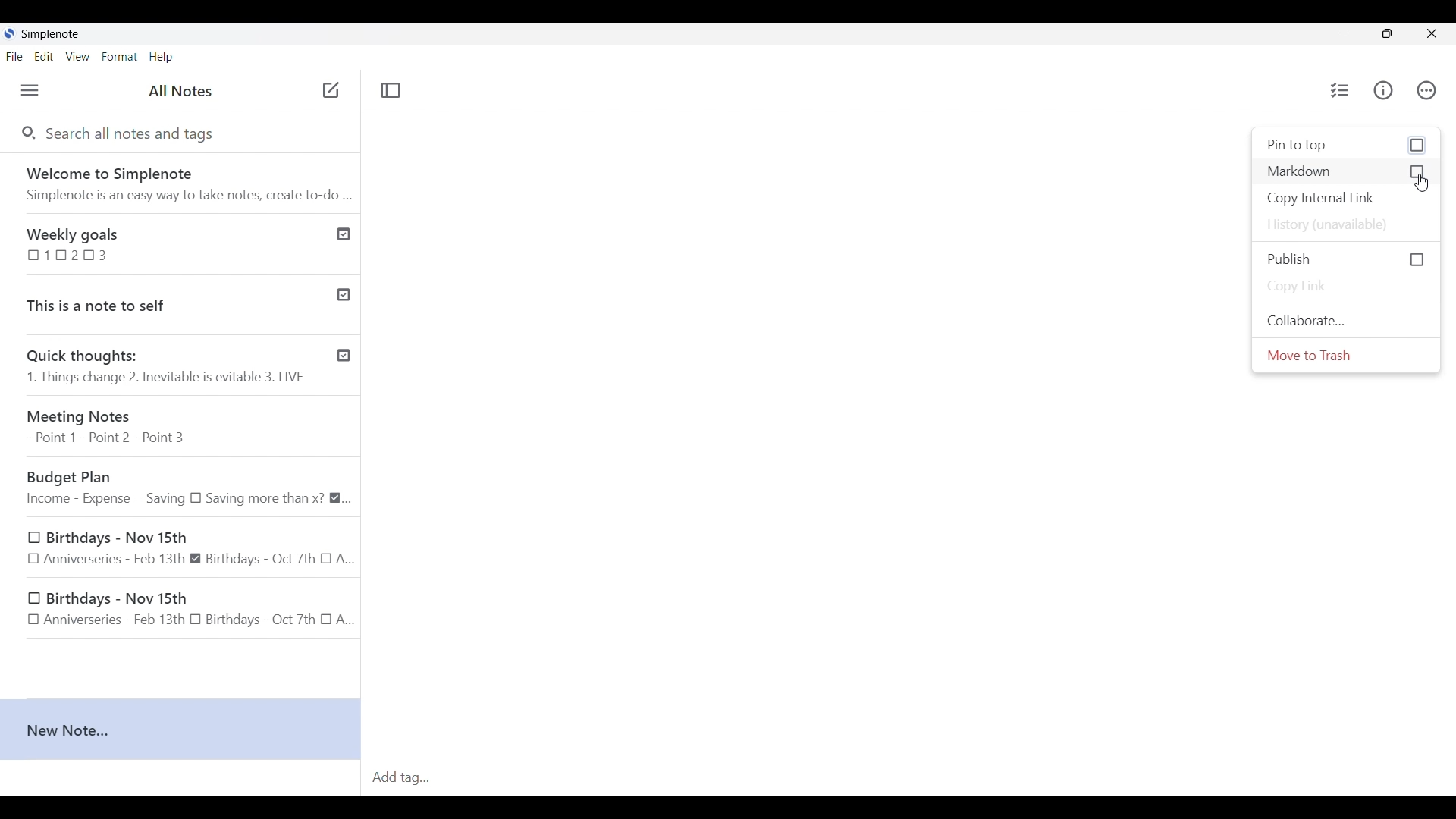 Image resolution: width=1456 pixels, height=819 pixels. What do you see at coordinates (1431, 33) in the screenshot?
I see `Close interface` at bounding box center [1431, 33].